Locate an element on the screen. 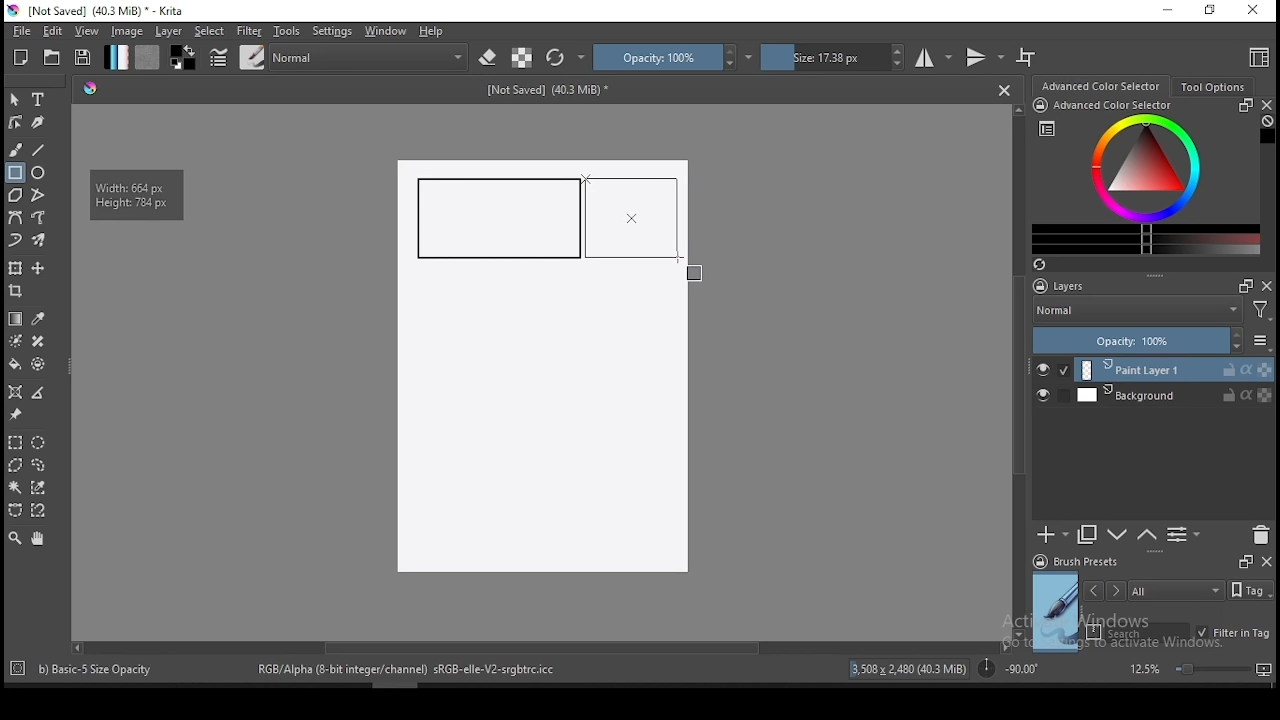 The width and height of the screenshot is (1280, 720). icon and file name is located at coordinates (99, 11).